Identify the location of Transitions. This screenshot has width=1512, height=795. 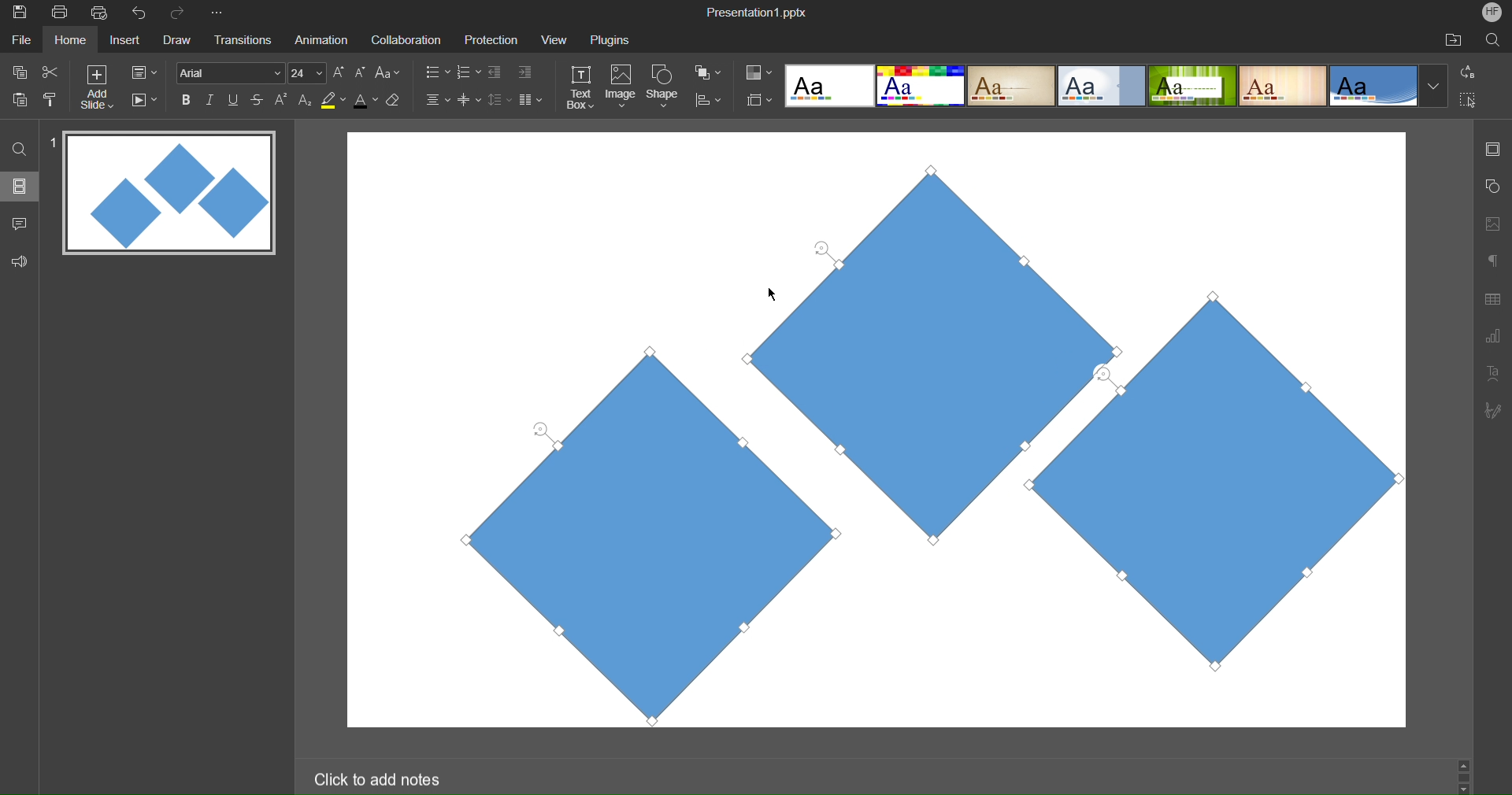
(241, 41).